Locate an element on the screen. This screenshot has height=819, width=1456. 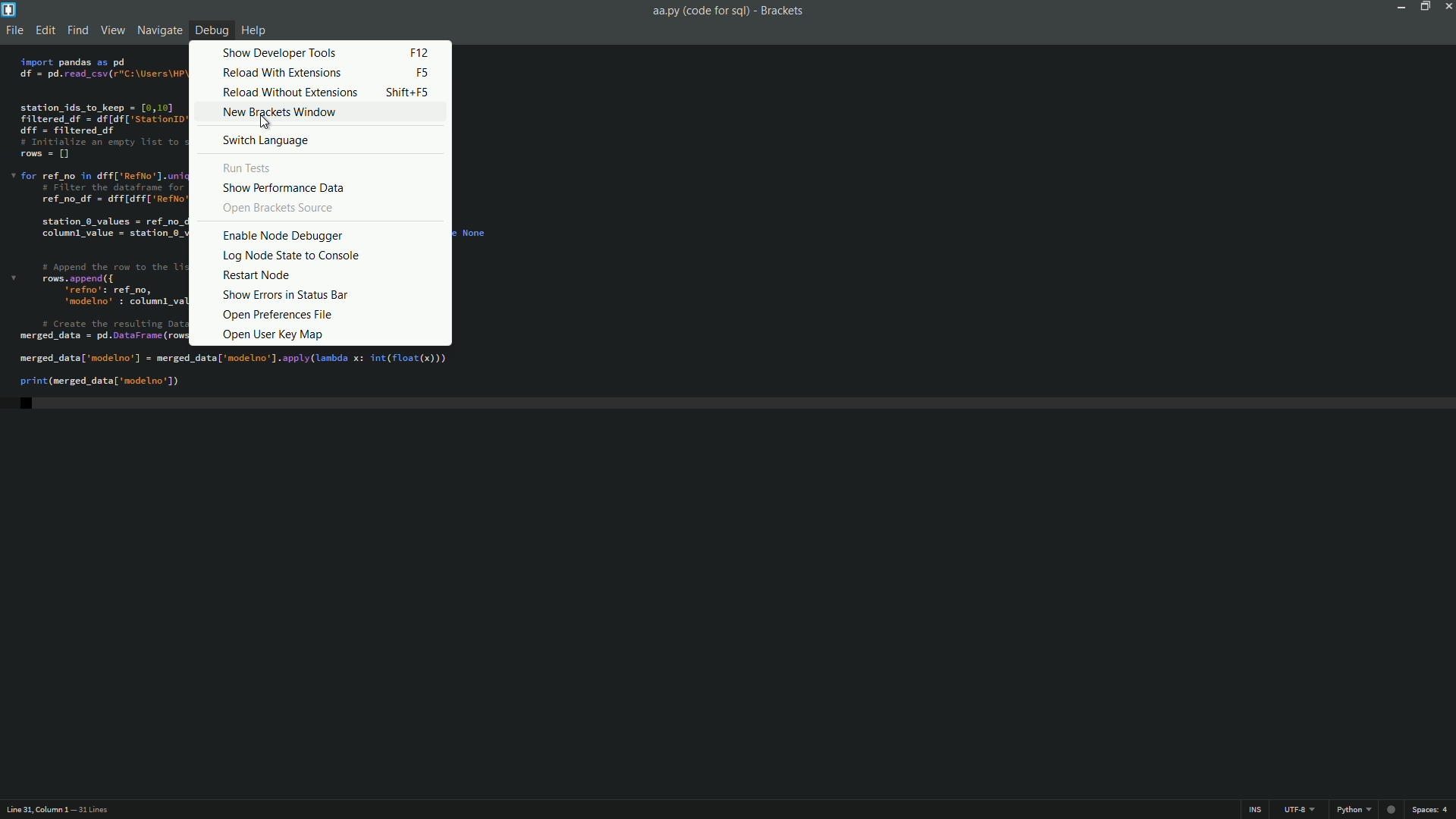
Keyboard shortcut is located at coordinates (422, 72).